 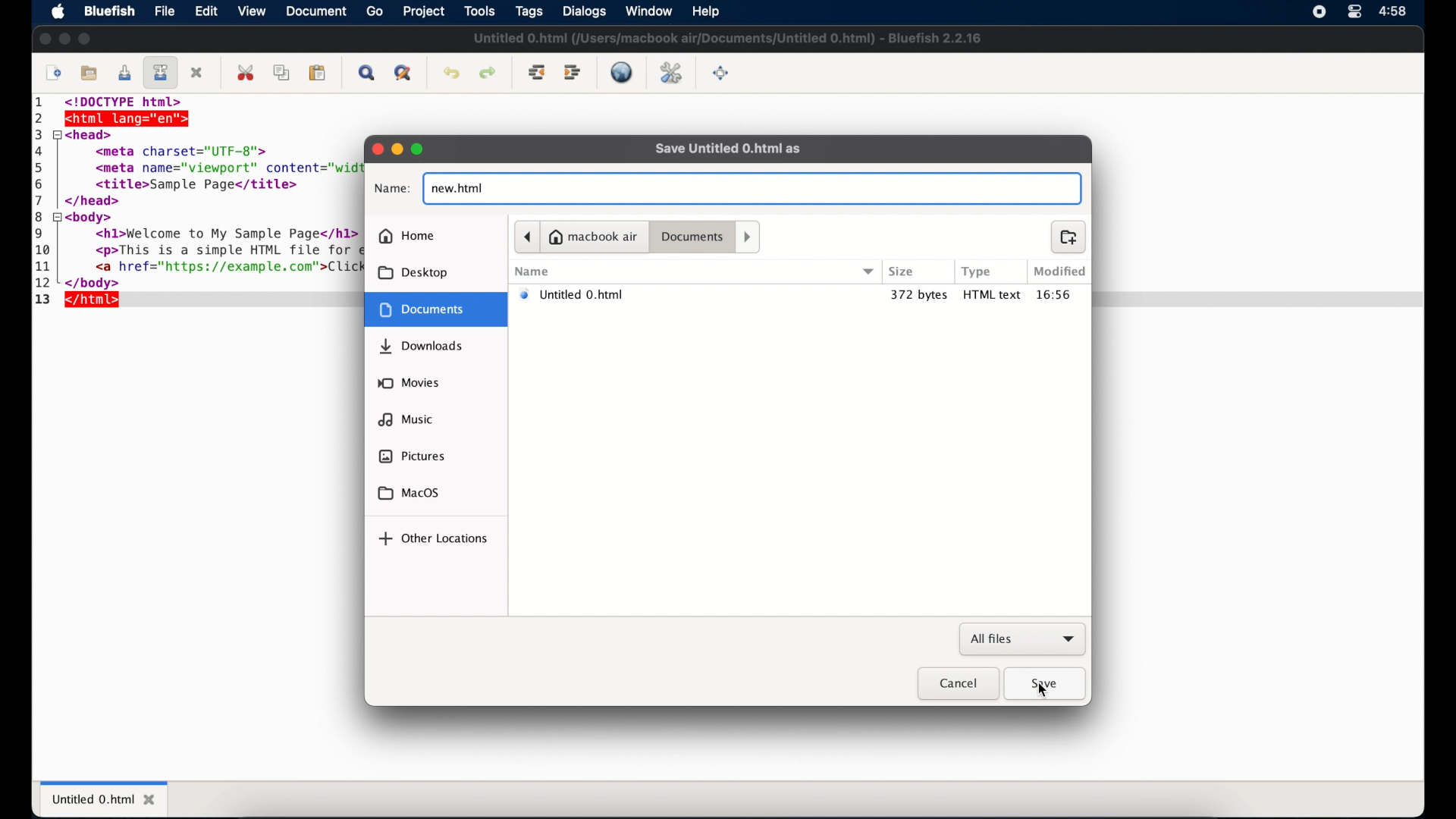 What do you see at coordinates (594, 237) in the screenshot?
I see `macbook air` at bounding box center [594, 237].